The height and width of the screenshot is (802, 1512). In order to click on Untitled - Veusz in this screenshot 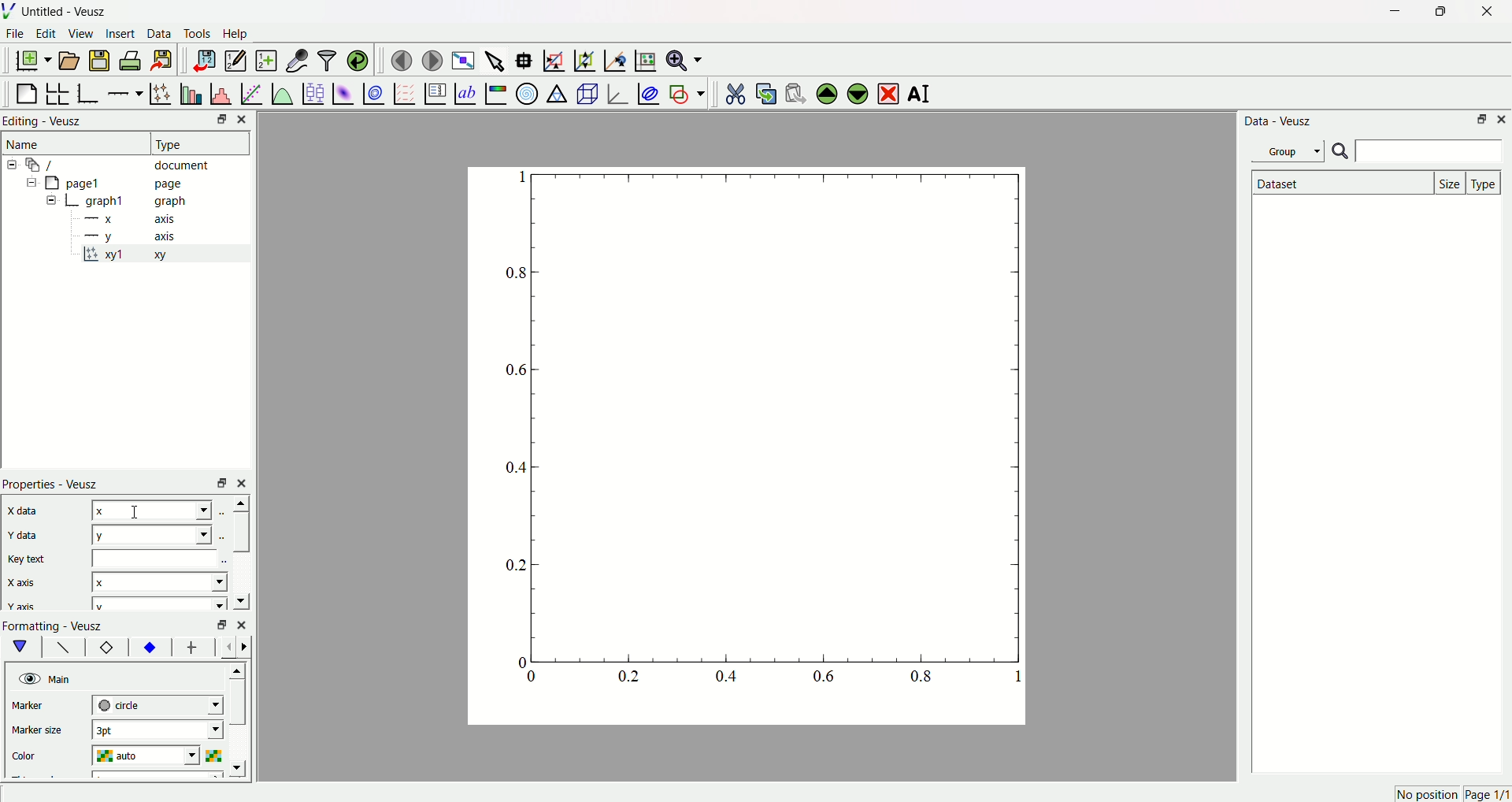, I will do `click(67, 13)`.